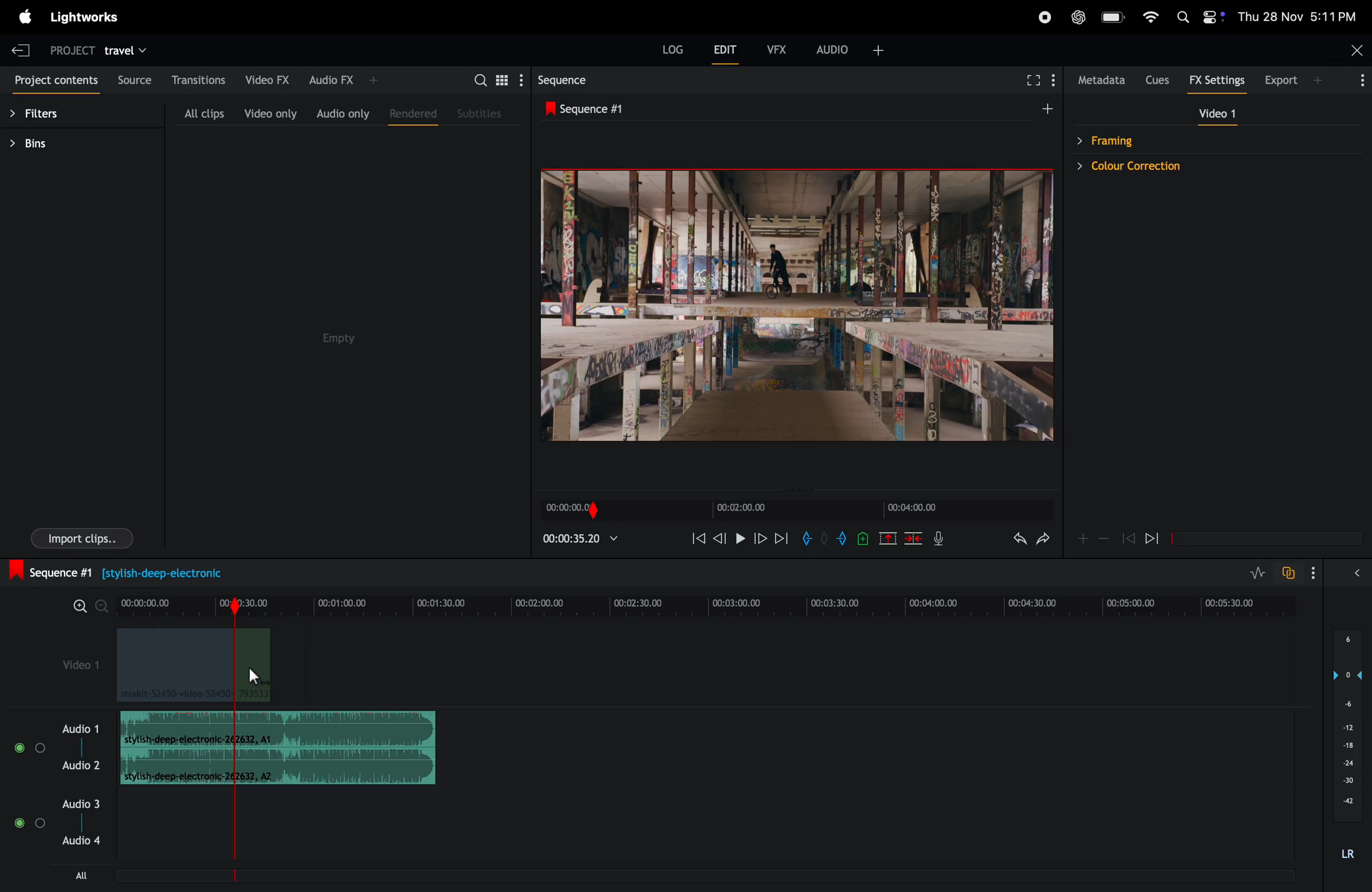 The image size is (1372, 892). Describe the element at coordinates (728, 52) in the screenshot. I see `edit` at that location.